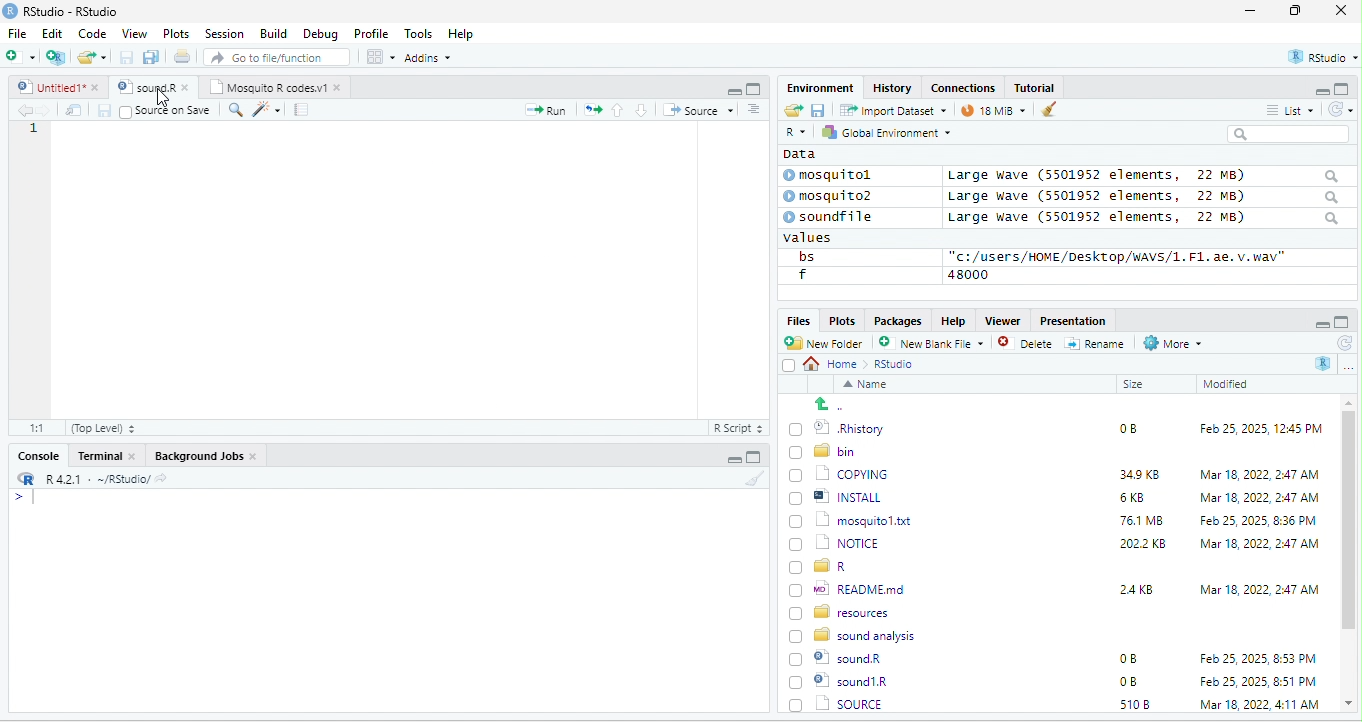  Describe the element at coordinates (1145, 196) in the screenshot. I see `Large wave (550139372 elements, JZ MB)` at that location.